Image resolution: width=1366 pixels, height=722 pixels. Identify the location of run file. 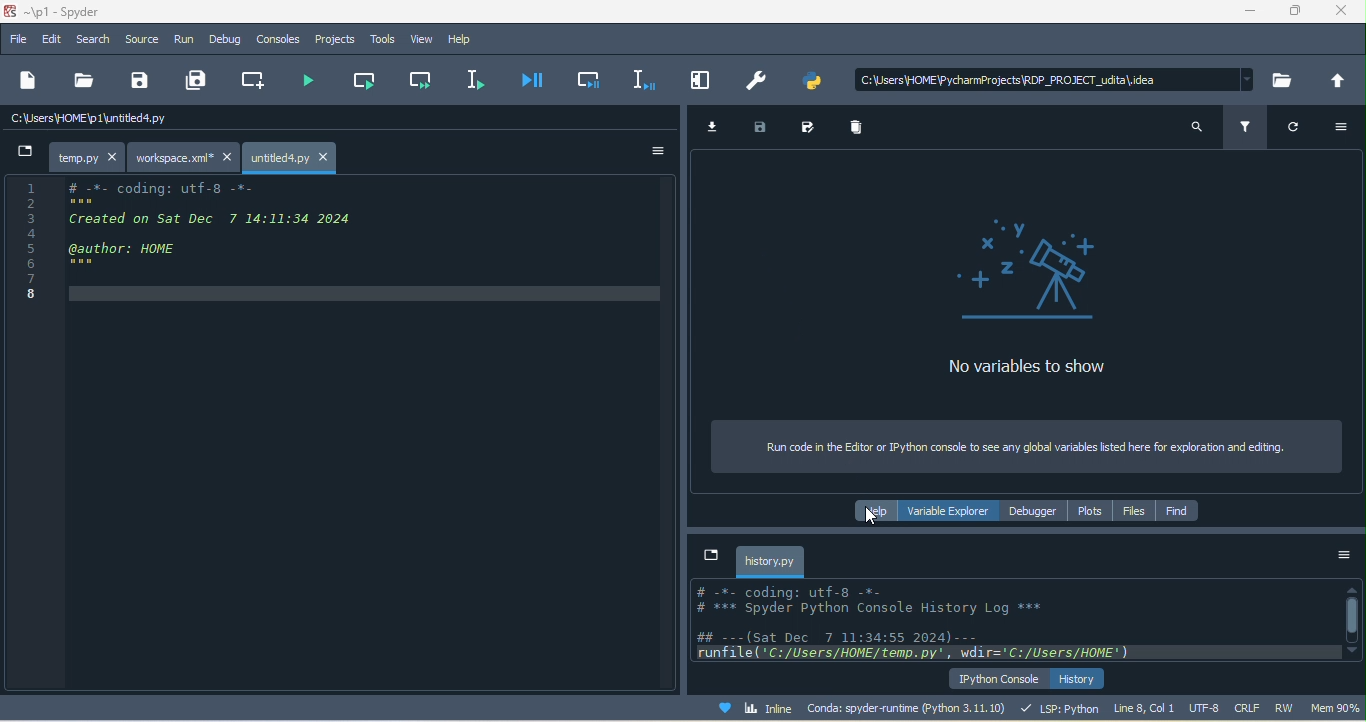
(308, 83).